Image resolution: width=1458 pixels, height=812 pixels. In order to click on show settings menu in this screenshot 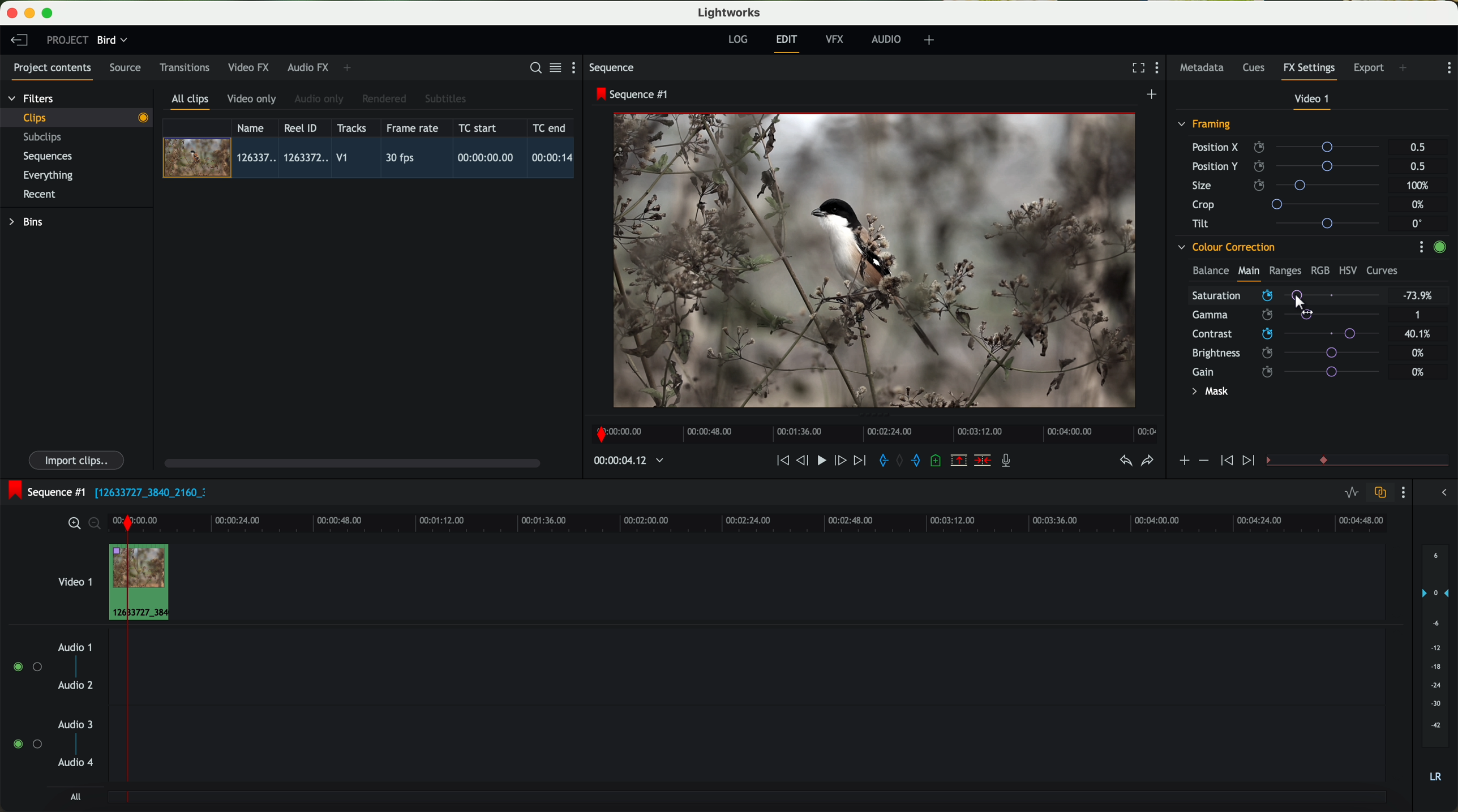, I will do `click(1448, 68)`.